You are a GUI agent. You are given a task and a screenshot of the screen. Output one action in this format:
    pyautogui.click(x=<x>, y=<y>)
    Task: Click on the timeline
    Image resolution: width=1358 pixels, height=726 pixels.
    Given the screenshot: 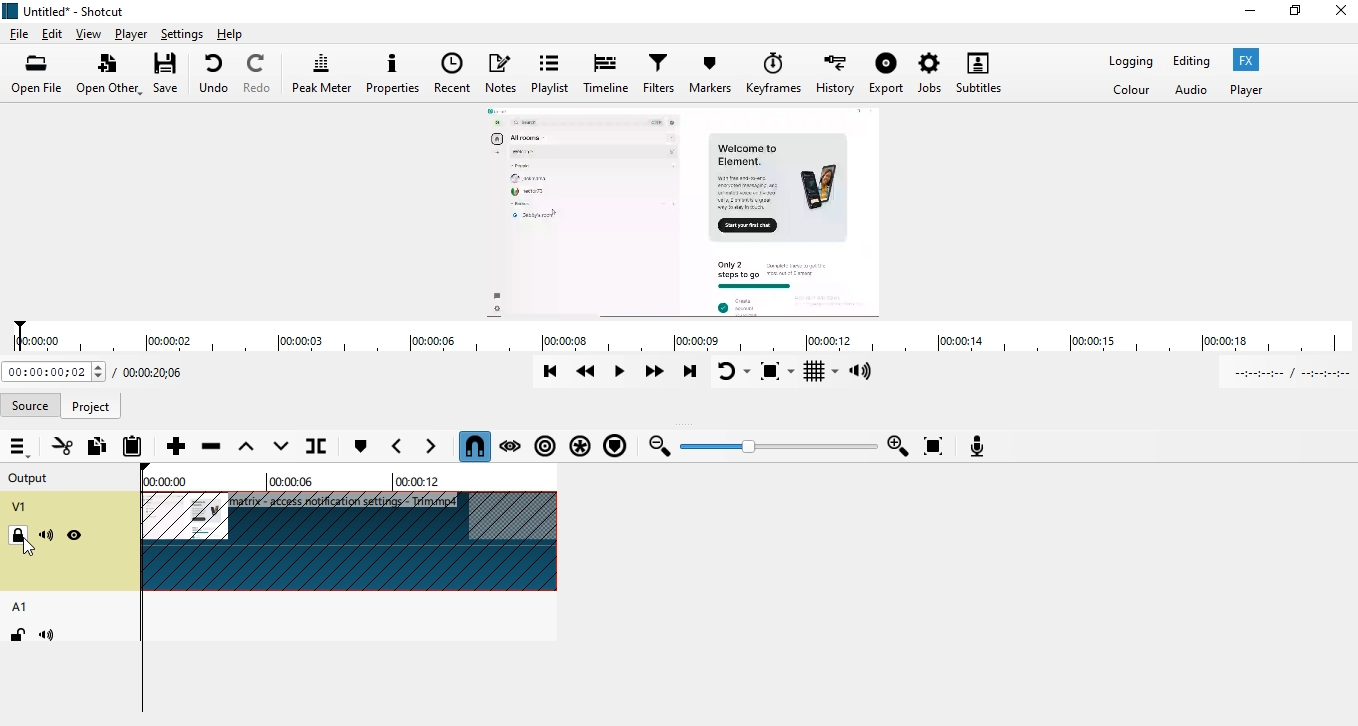 What is the action you would take?
    pyautogui.click(x=677, y=338)
    